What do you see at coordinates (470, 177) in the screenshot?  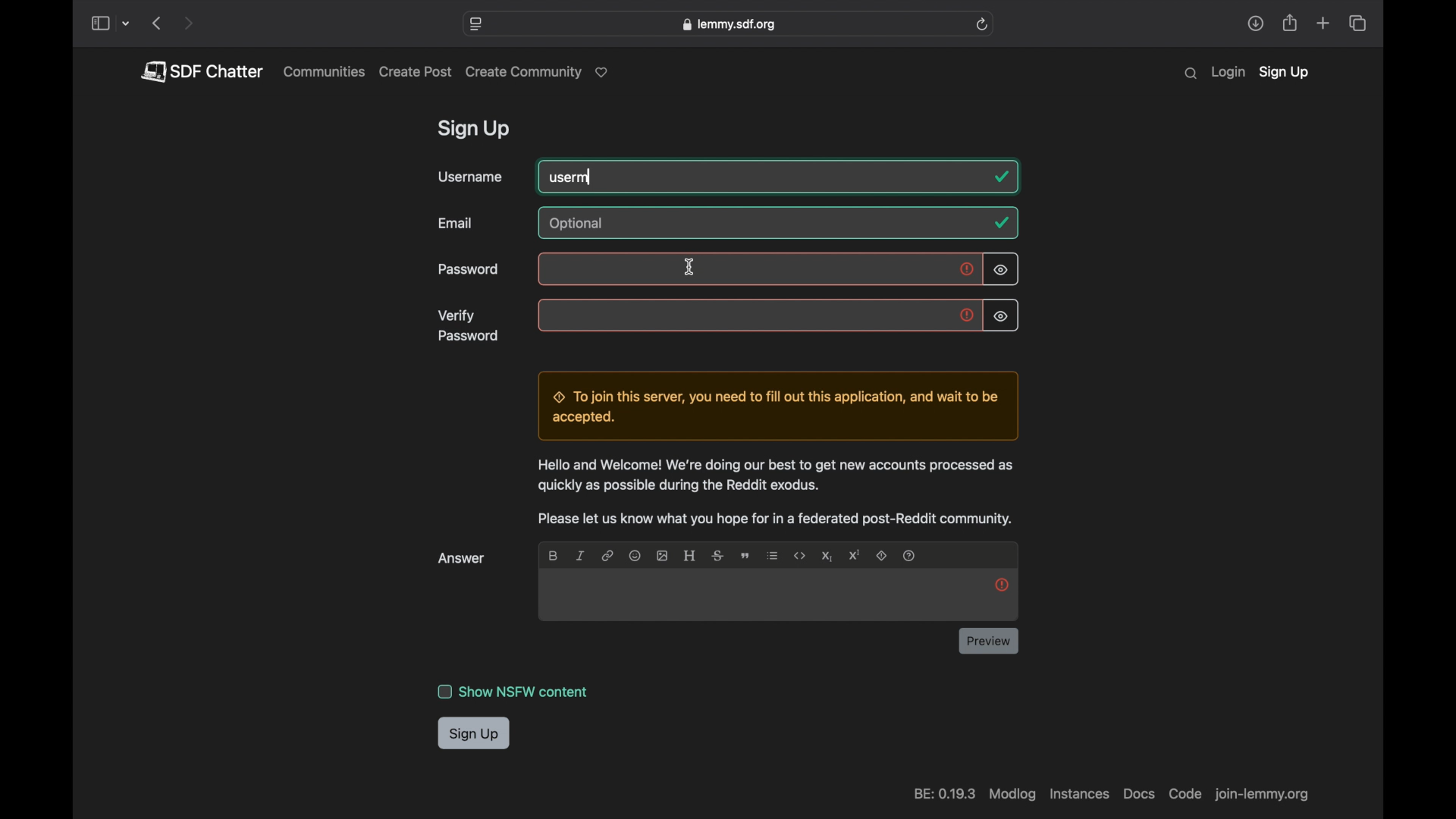 I see `username` at bounding box center [470, 177].